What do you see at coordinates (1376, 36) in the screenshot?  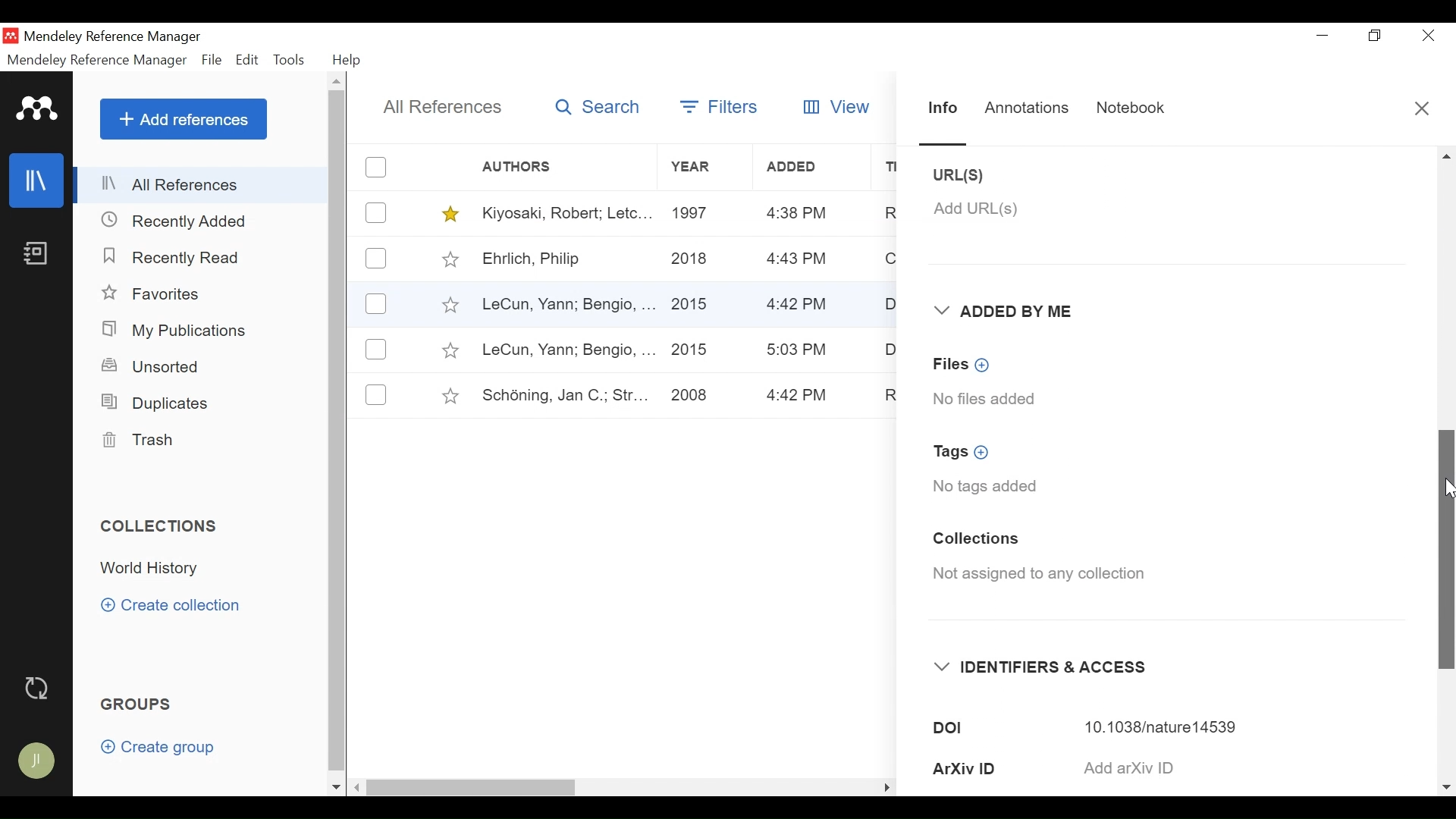 I see `Restore` at bounding box center [1376, 36].